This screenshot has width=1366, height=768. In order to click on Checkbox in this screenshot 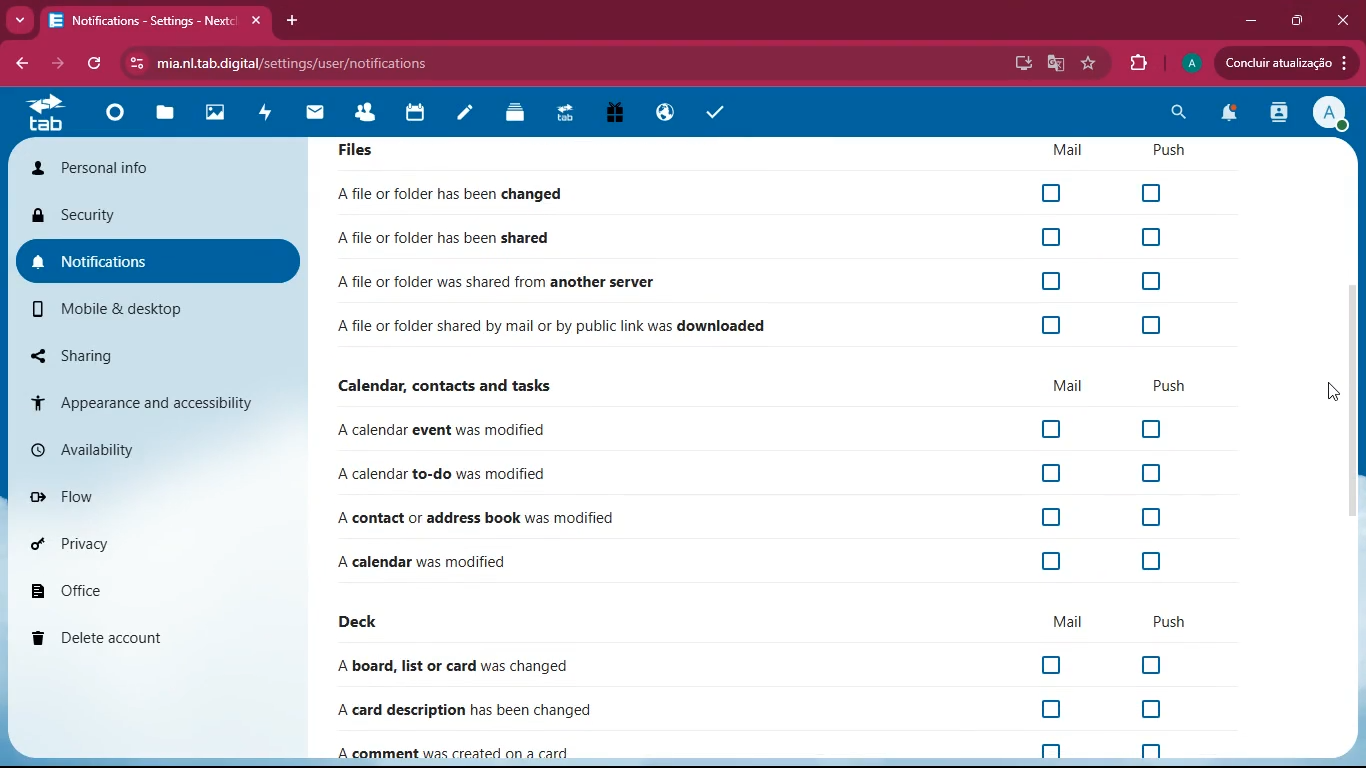, I will do `click(1157, 326)`.